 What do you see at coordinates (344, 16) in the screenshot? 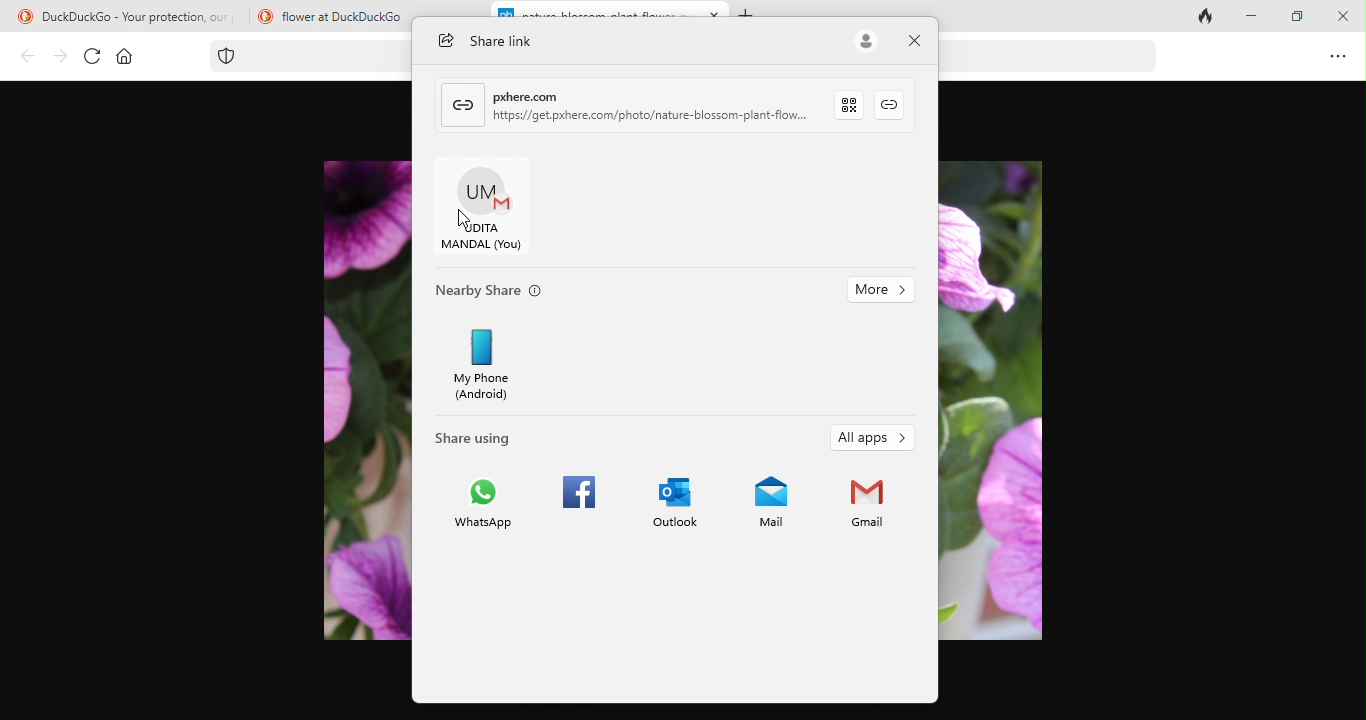
I see ` flower at DuckDuckGo` at bounding box center [344, 16].